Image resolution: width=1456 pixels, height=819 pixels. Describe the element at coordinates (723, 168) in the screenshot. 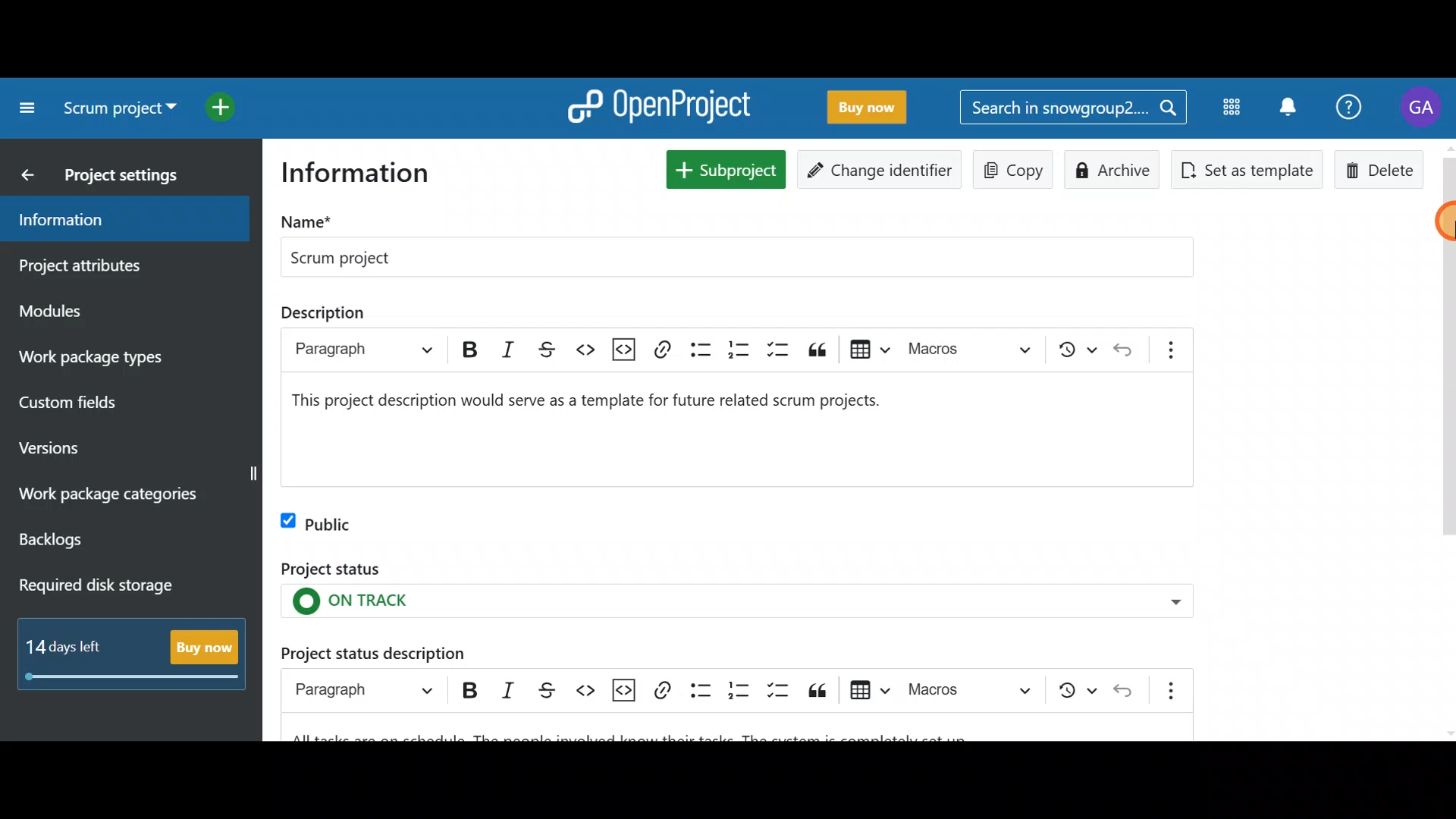

I see `New subproject` at that location.